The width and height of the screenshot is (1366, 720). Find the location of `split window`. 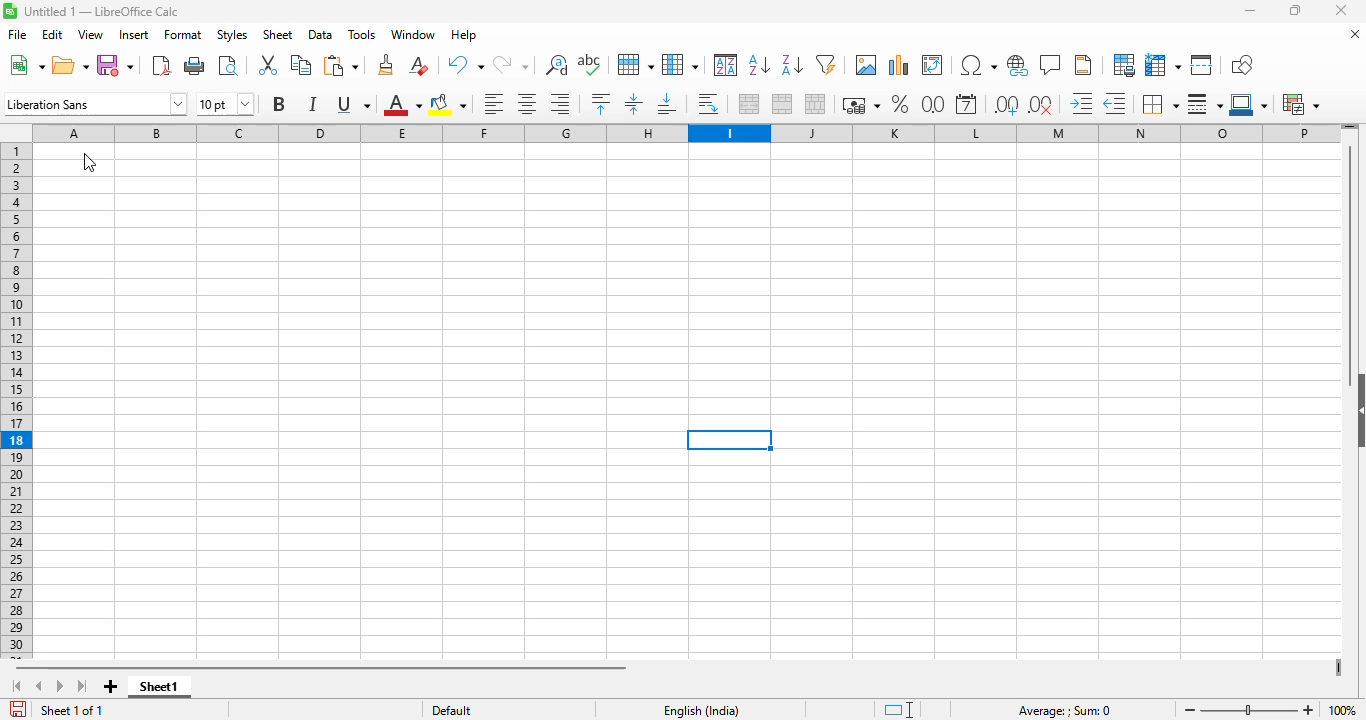

split window is located at coordinates (1202, 65).